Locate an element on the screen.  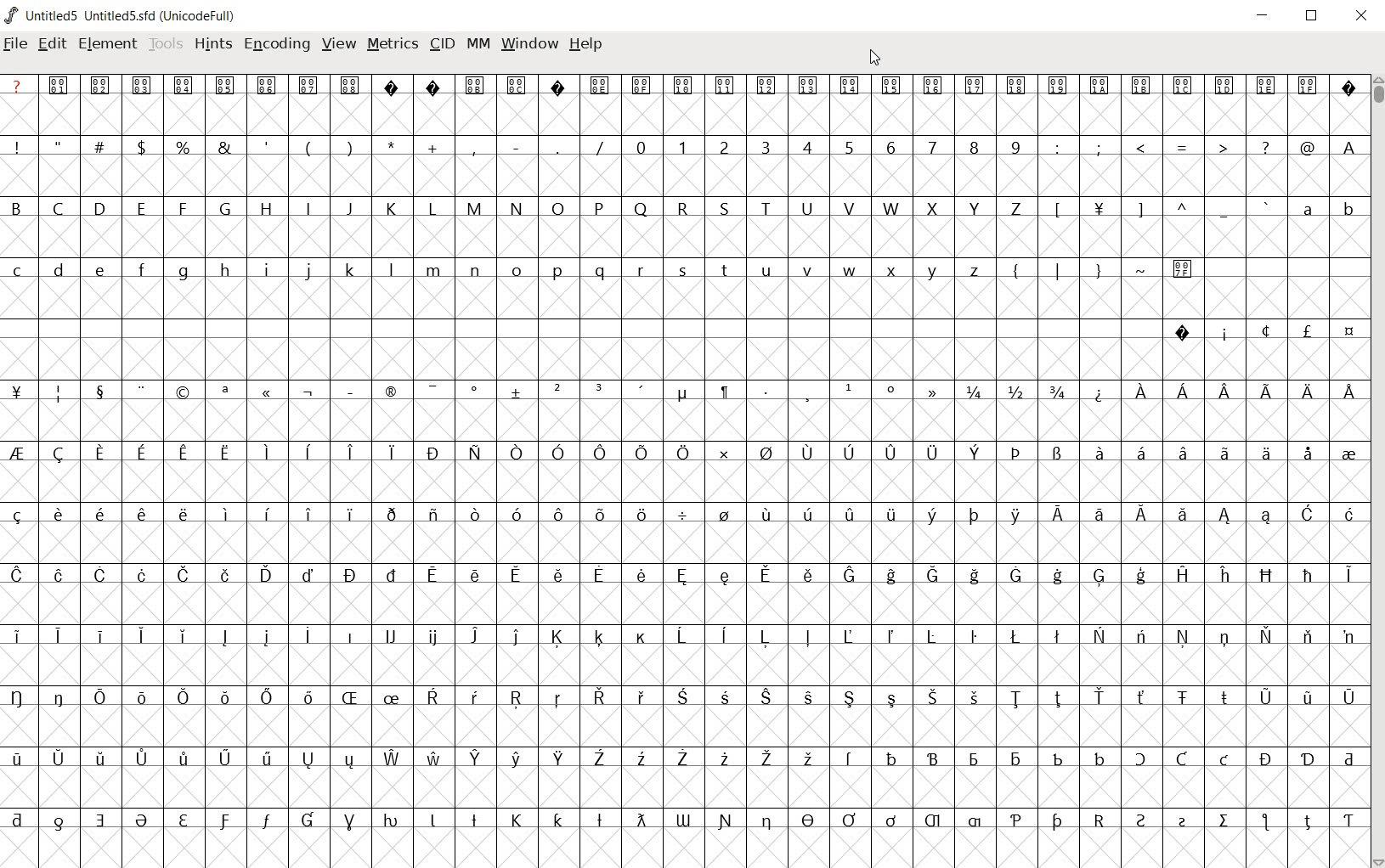
Symbol is located at coordinates (974, 85).